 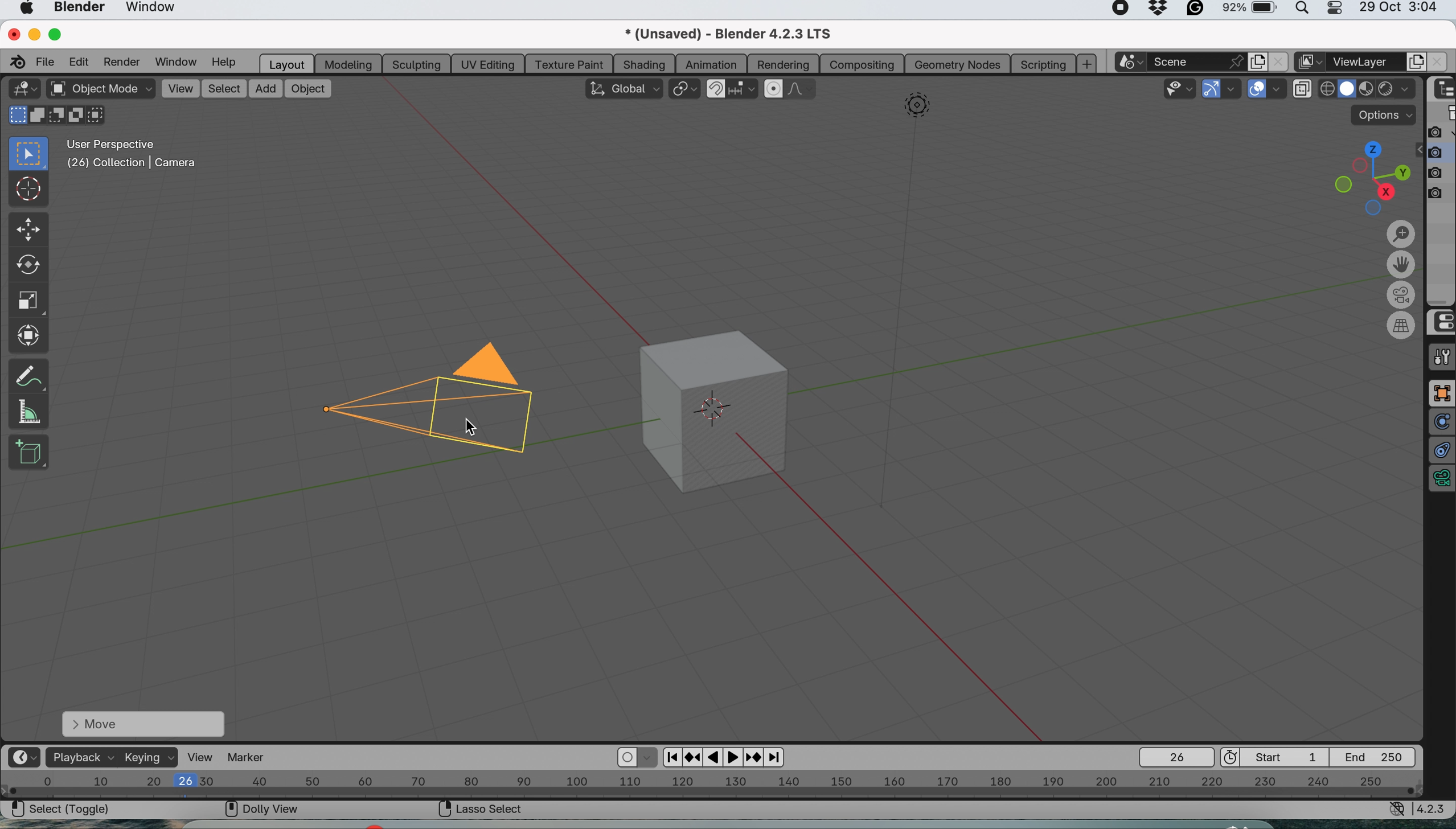 What do you see at coordinates (174, 61) in the screenshot?
I see `window` at bounding box center [174, 61].